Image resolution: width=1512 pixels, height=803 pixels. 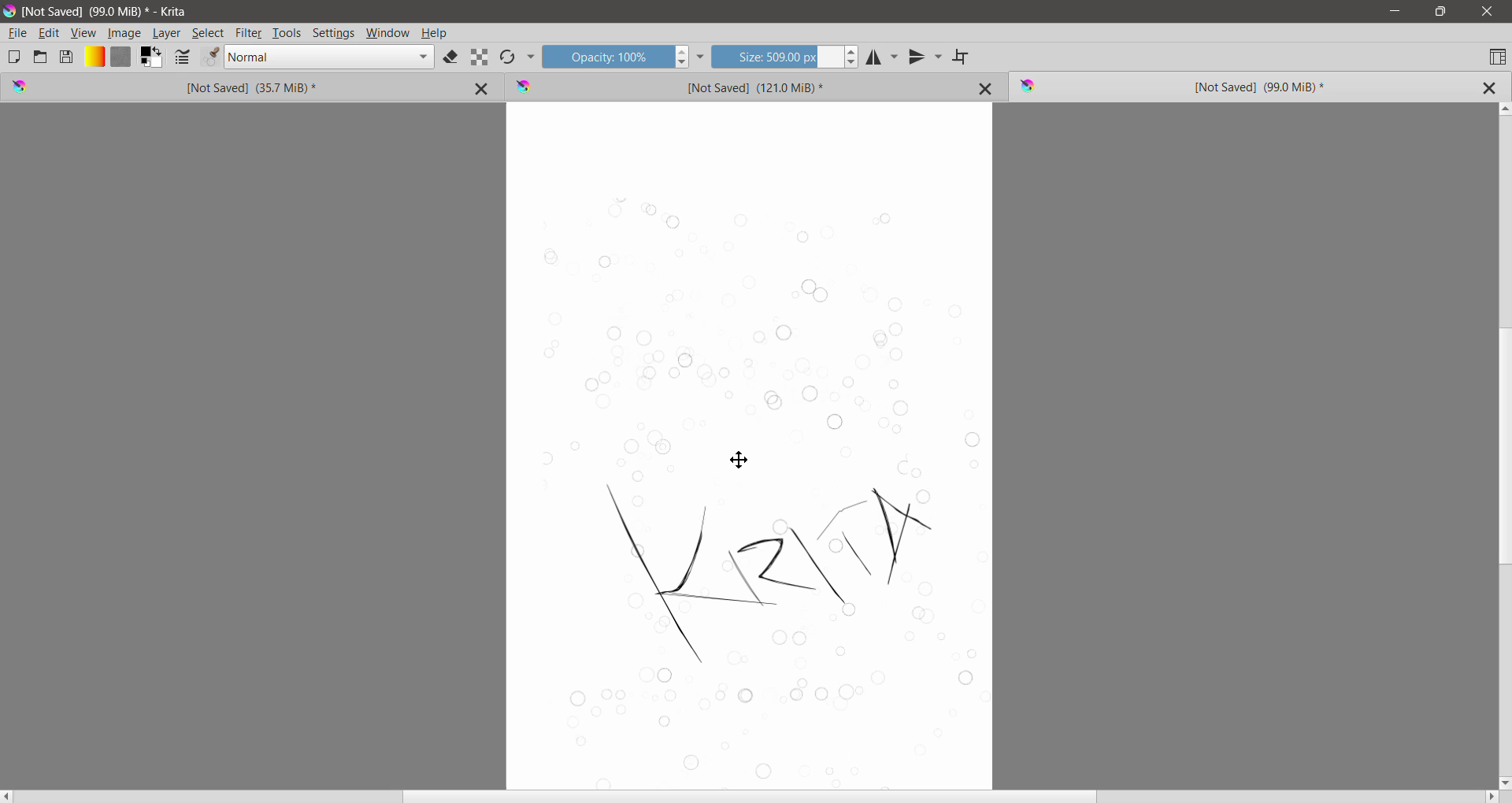 I want to click on Edit Brush Preset, so click(x=209, y=57).